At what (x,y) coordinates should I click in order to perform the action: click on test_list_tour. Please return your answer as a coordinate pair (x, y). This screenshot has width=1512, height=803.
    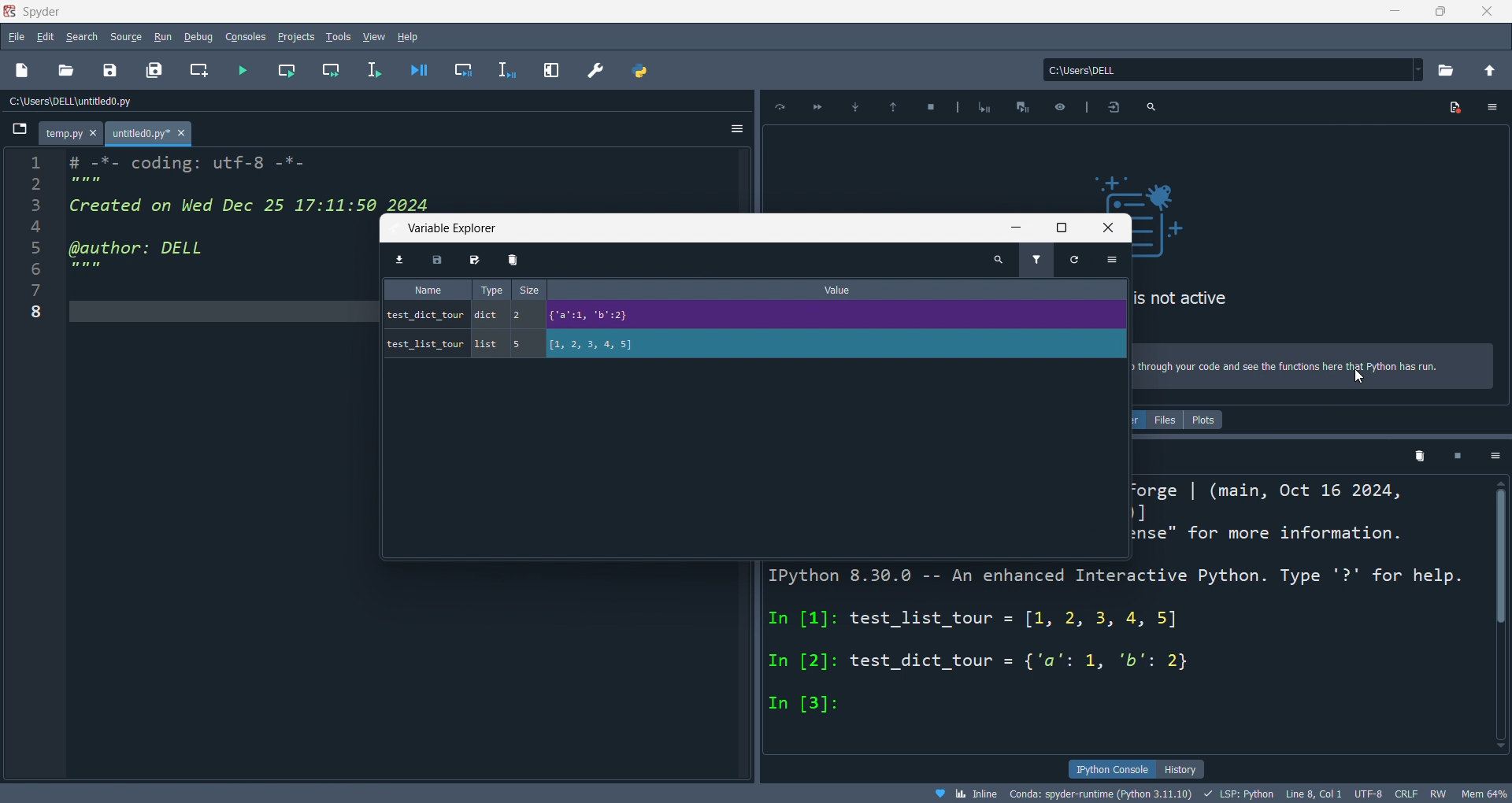
    Looking at the image, I should click on (756, 344).